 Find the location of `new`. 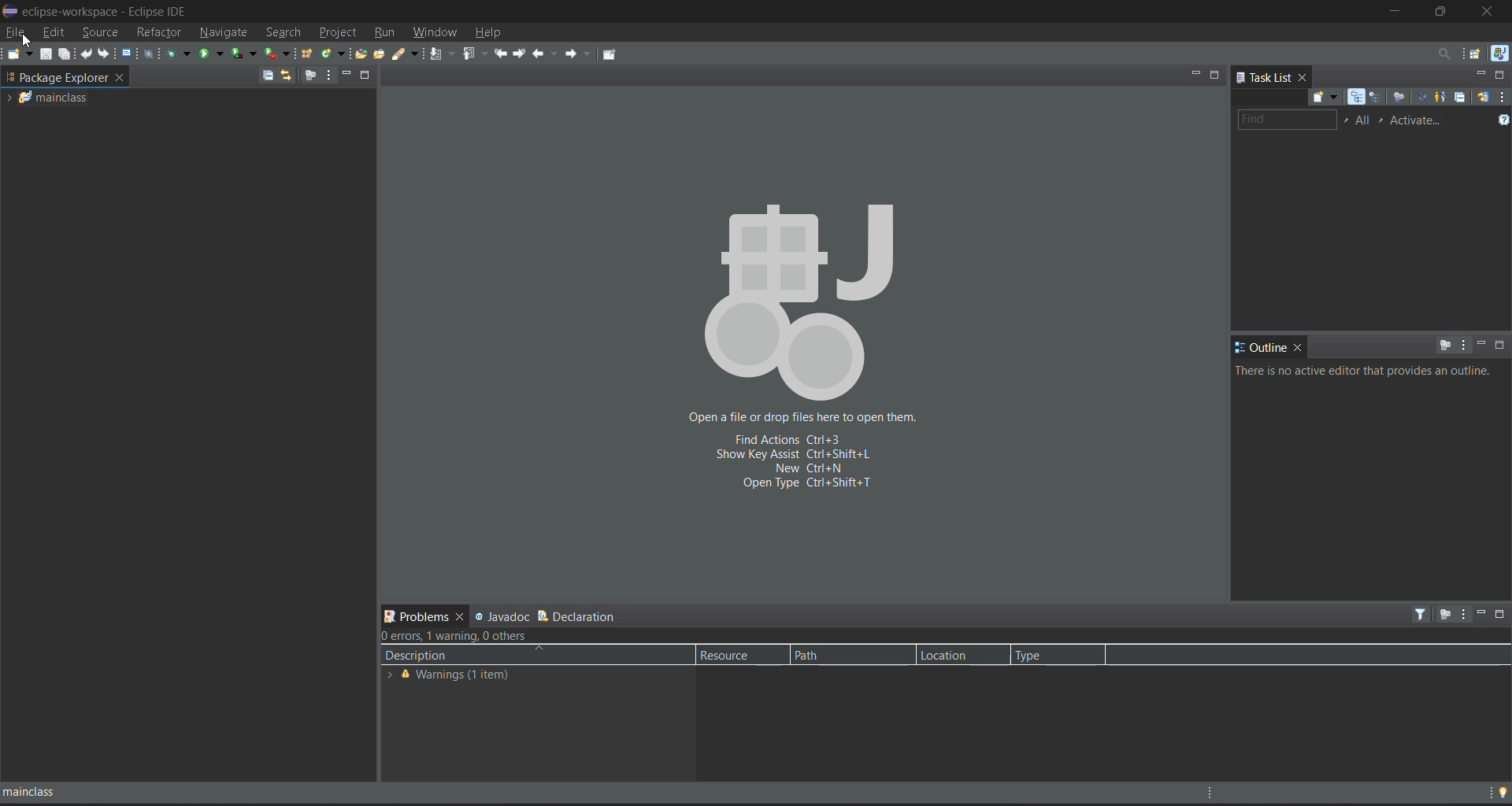

new is located at coordinates (20, 54).